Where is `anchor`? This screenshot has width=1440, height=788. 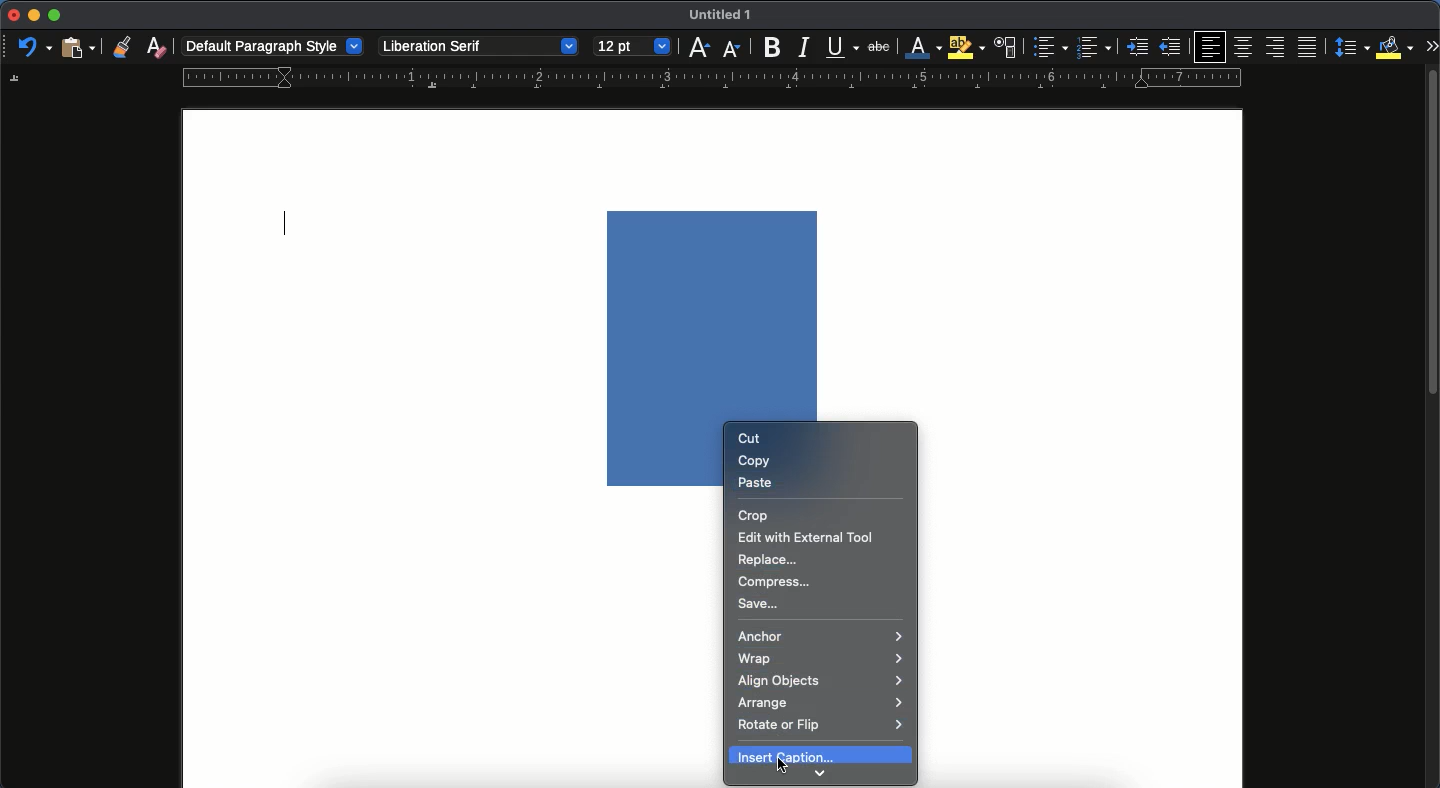 anchor is located at coordinates (821, 636).